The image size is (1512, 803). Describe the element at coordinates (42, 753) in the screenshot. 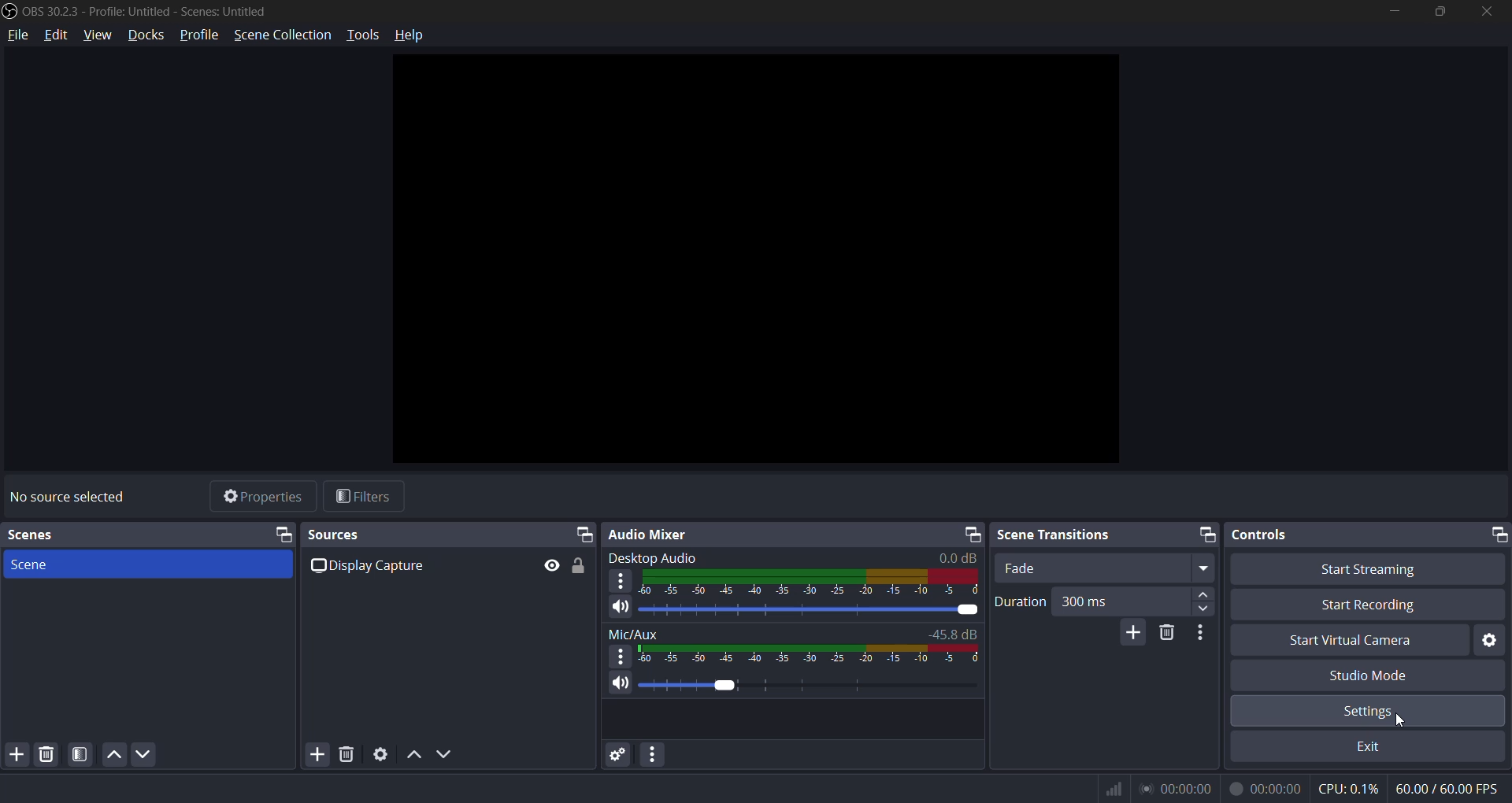

I see `delete source` at that location.